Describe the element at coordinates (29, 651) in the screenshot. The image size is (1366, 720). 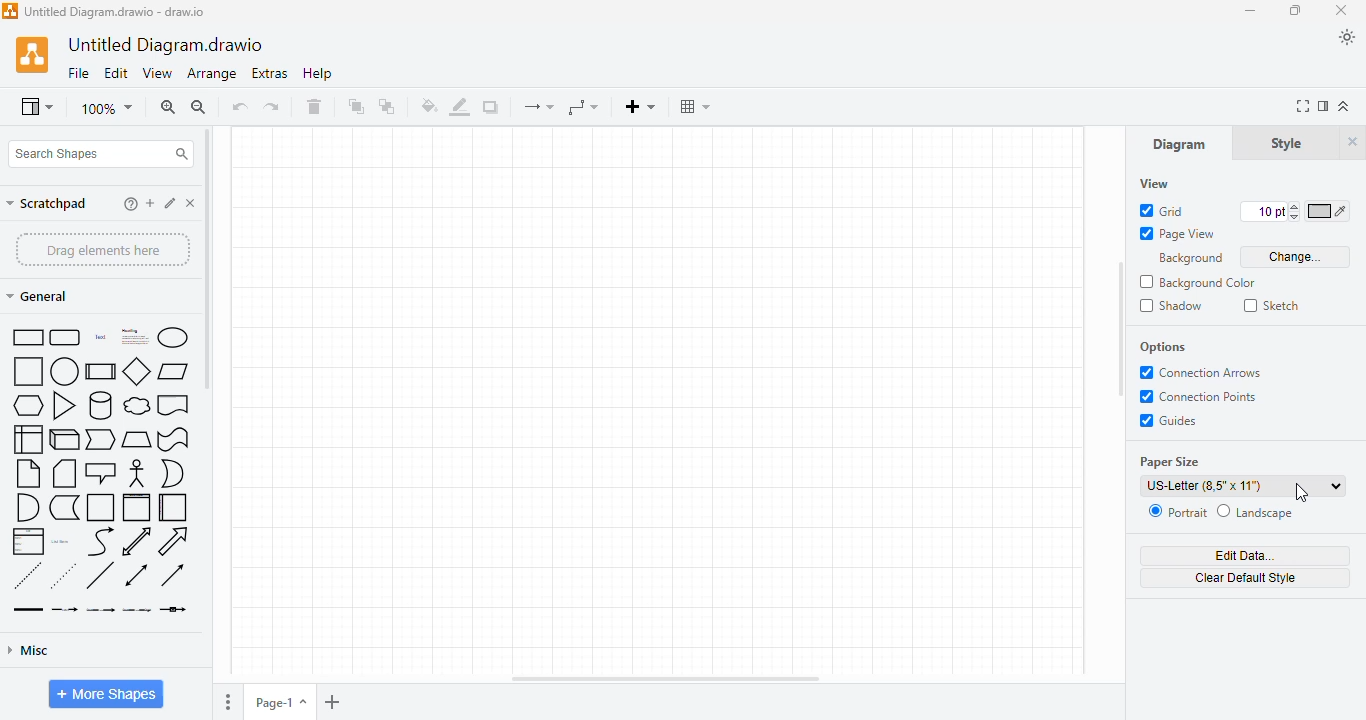
I see `misc` at that location.